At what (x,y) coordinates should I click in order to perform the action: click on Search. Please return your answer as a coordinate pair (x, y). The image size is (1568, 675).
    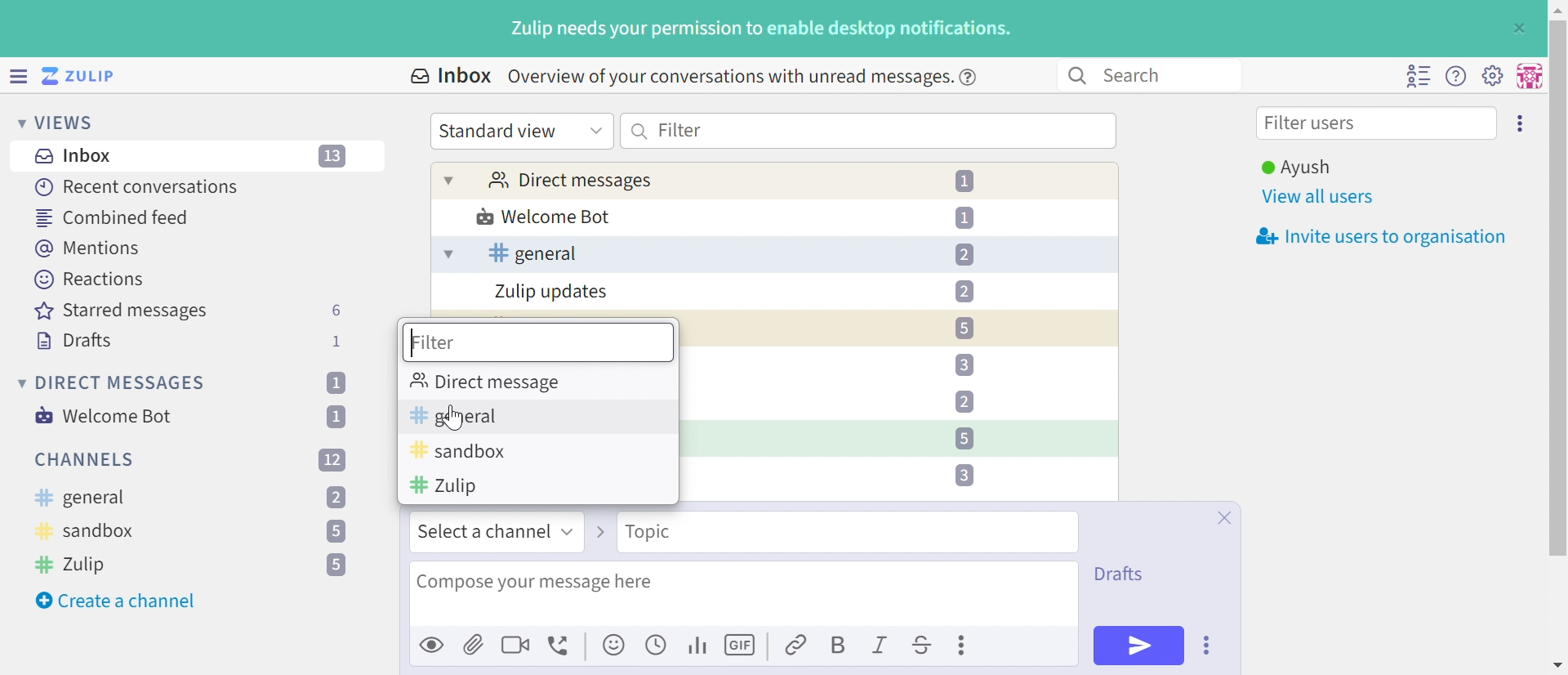
    Looking at the image, I should click on (1140, 74).